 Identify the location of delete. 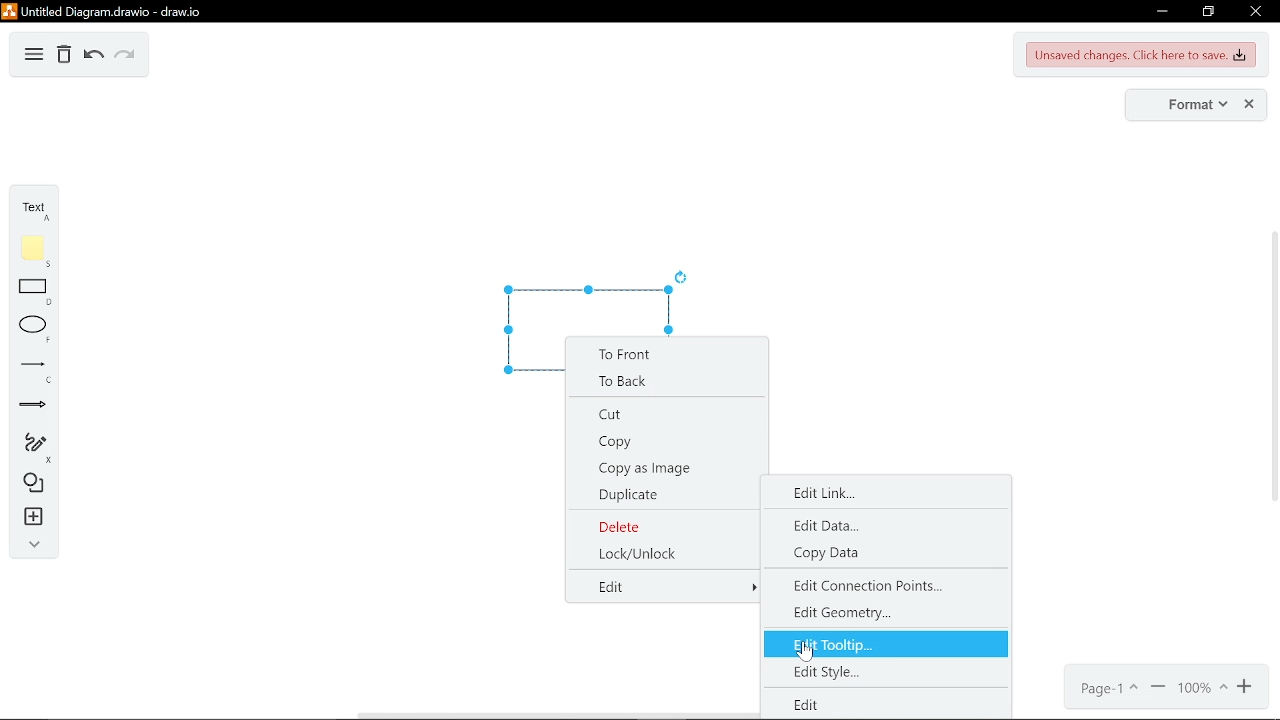
(662, 526).